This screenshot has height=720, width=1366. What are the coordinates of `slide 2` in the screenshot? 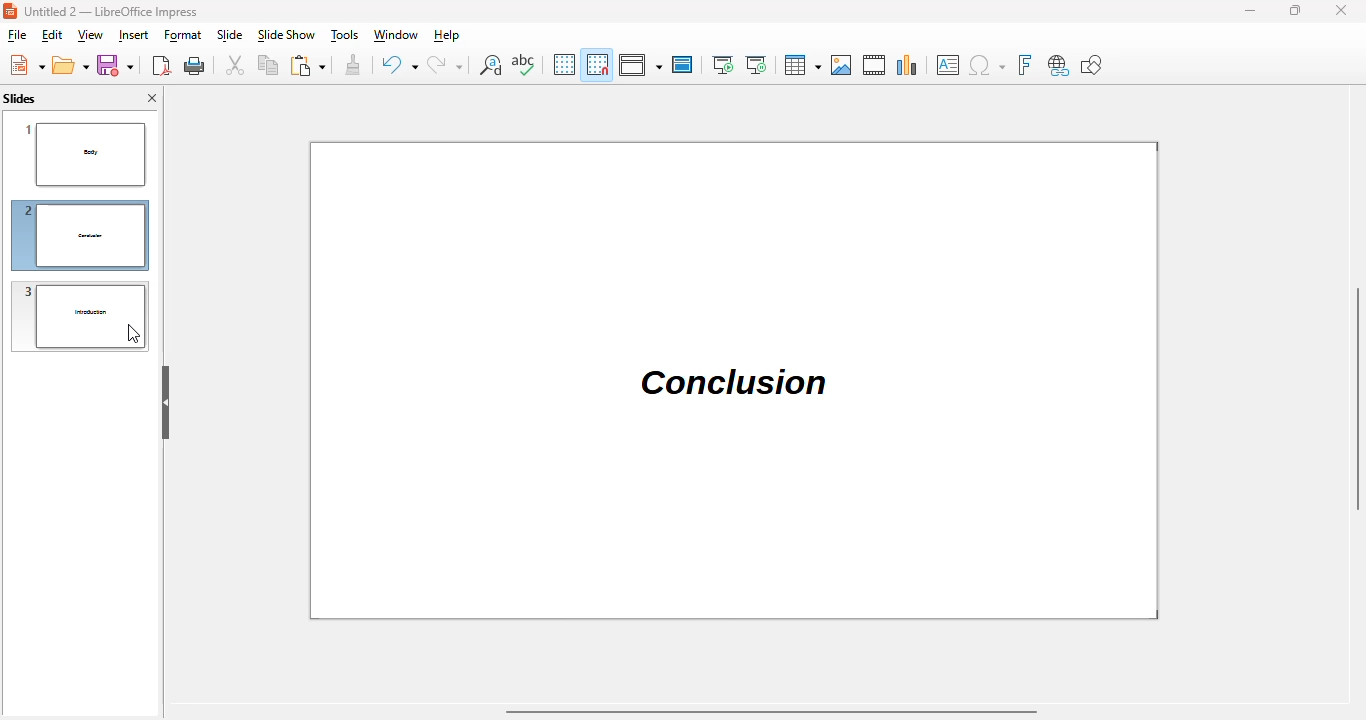 It's located at (79, 236).